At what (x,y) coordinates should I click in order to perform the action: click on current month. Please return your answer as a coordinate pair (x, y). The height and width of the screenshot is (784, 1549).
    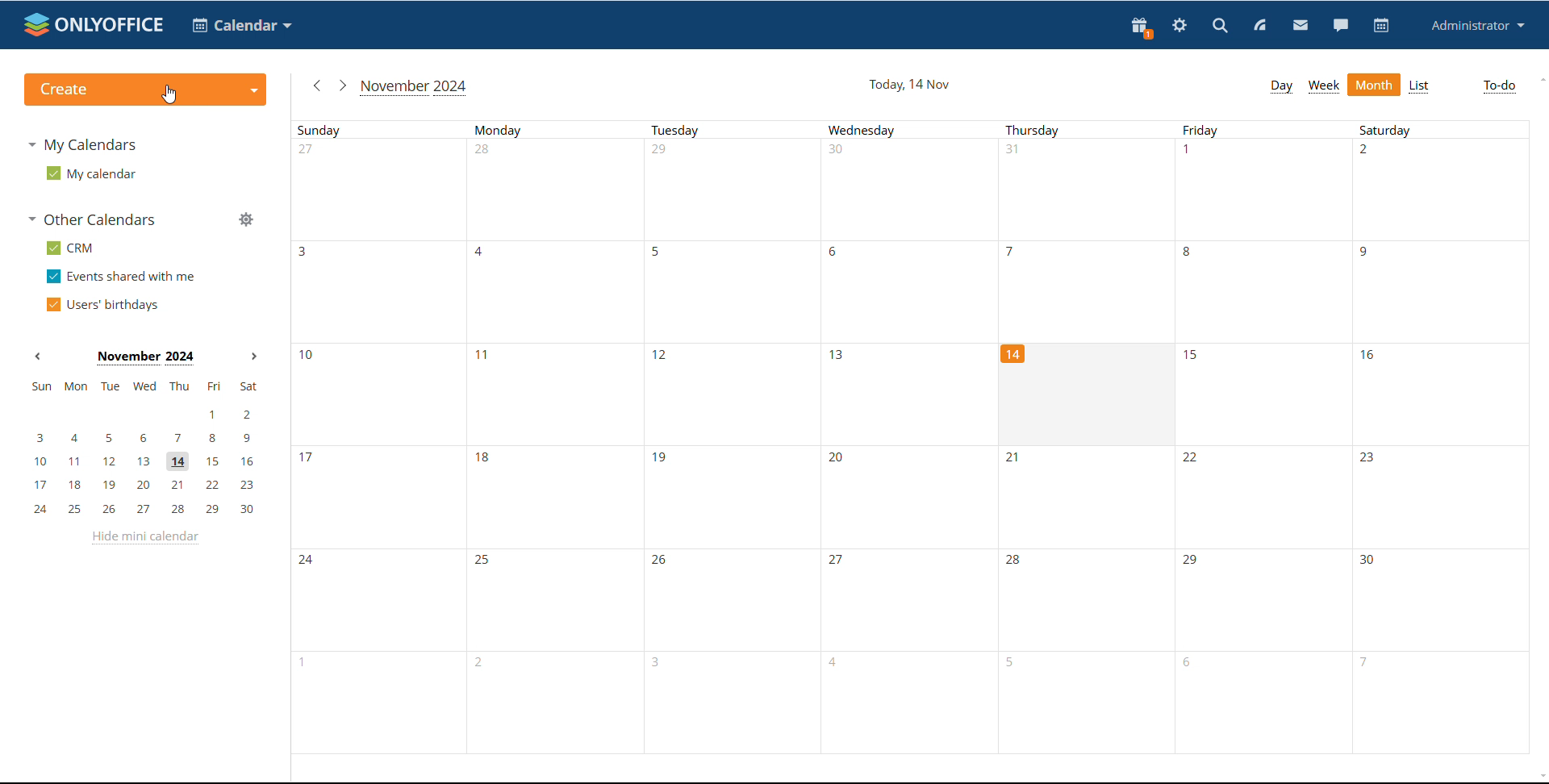
    Looking at the image, I should click on (415, 87).